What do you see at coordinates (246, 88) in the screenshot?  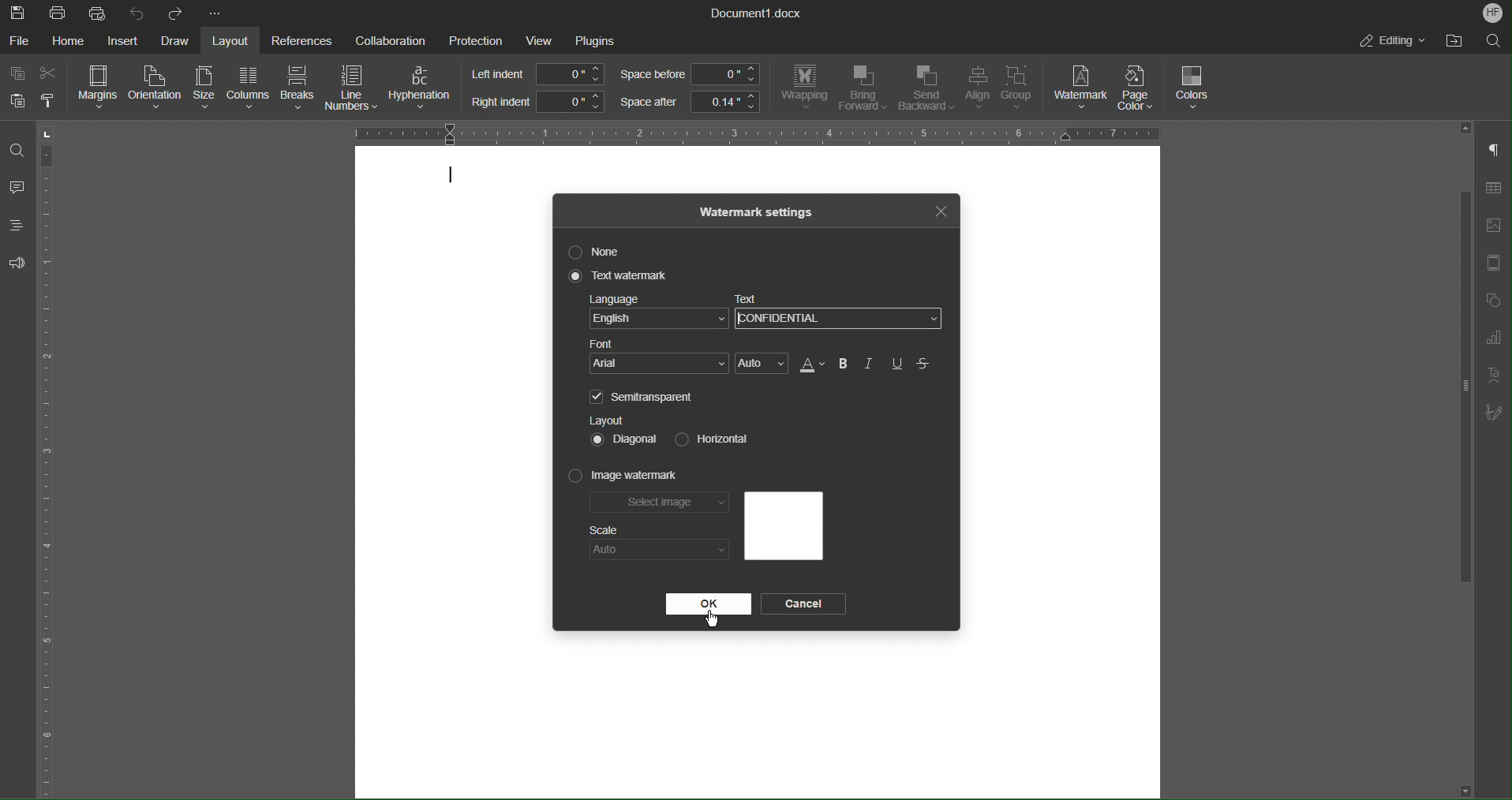 I see `Columns` at bounding box center [246, 88].